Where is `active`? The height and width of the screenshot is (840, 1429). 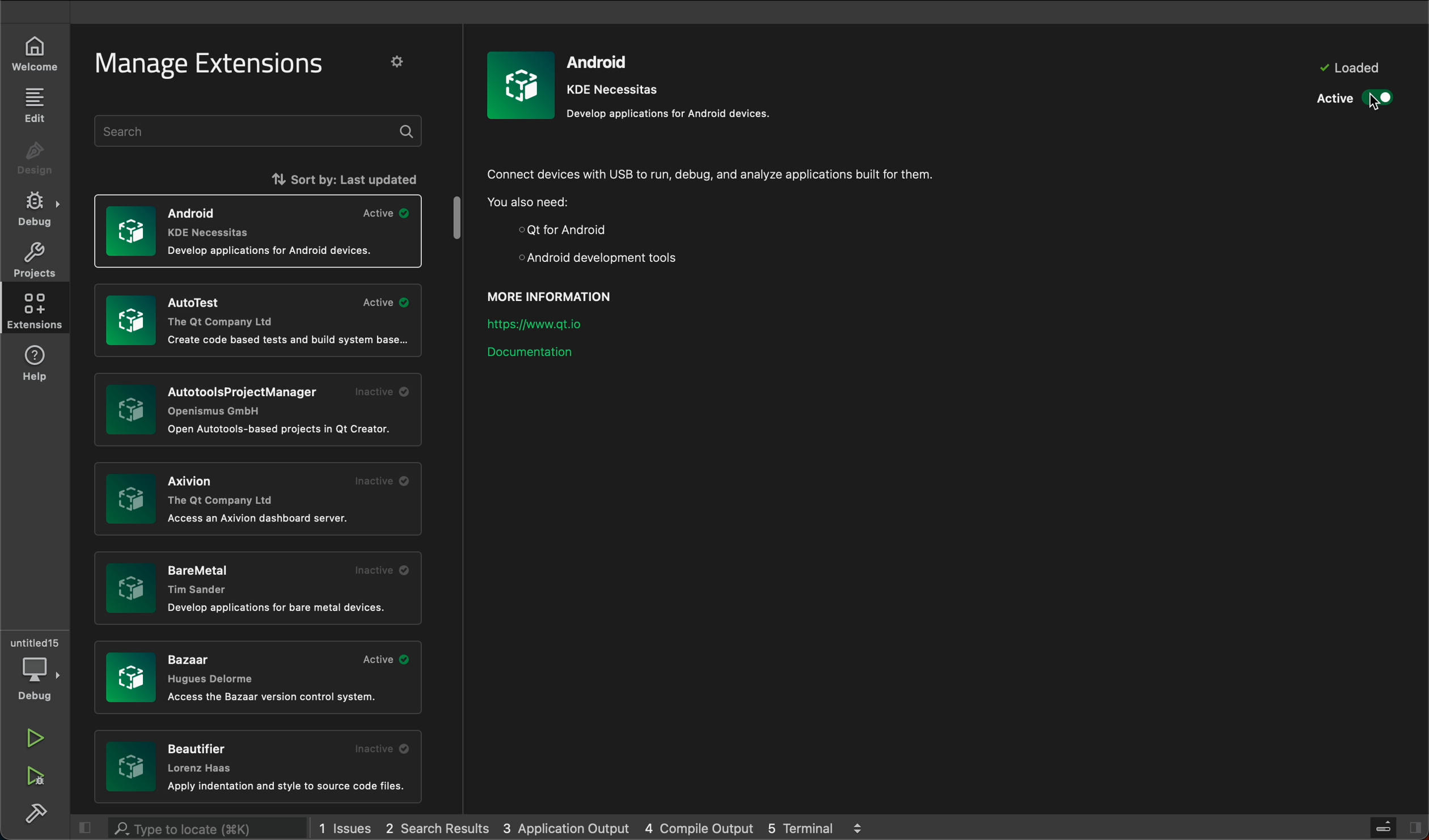
active is located at coordinates (1354, 97).